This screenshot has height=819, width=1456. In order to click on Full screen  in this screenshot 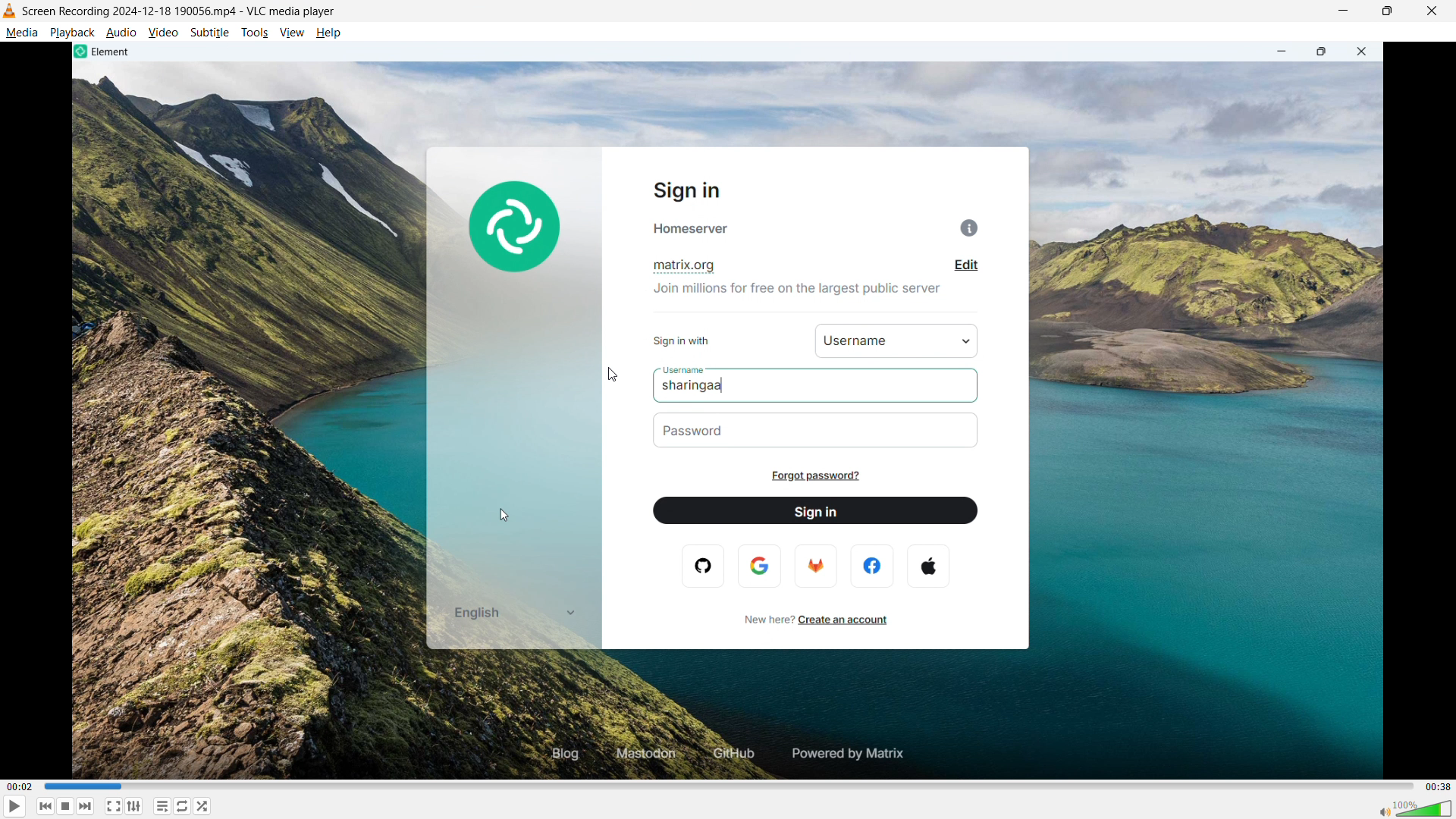, I will do `click(119, 806)`.